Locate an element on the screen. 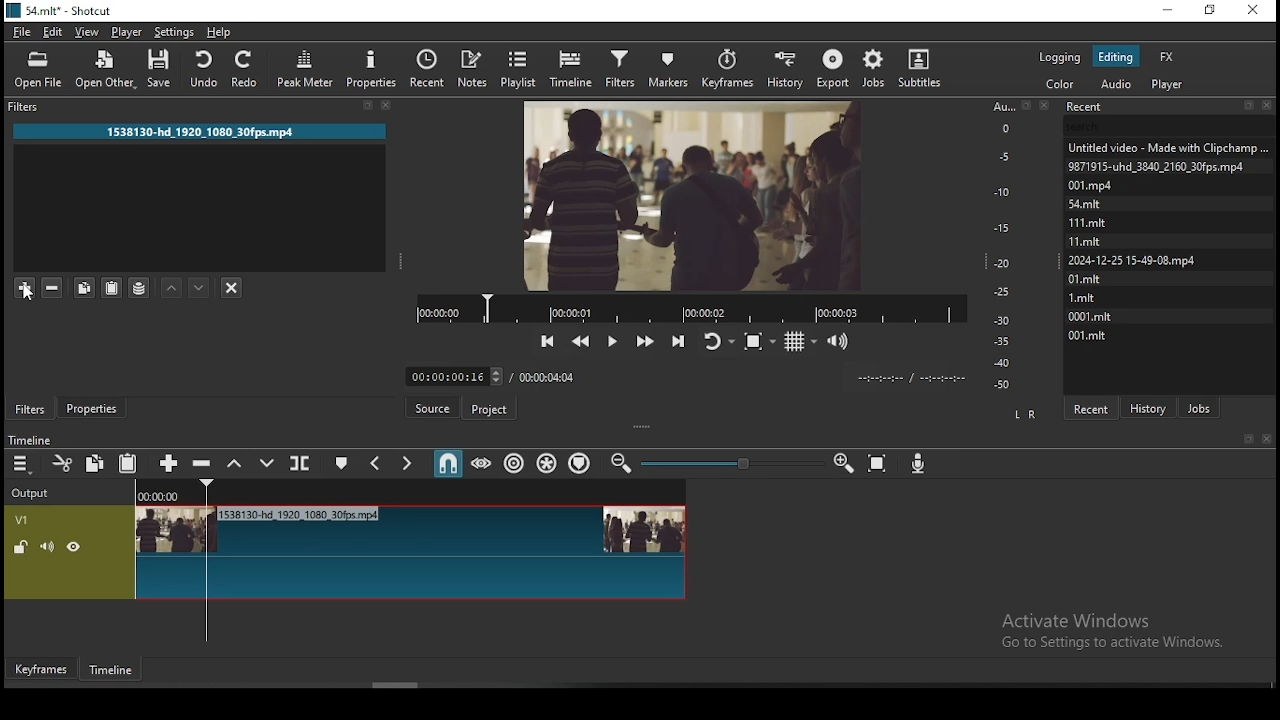 The width and height of the screenshot is (1280, 720). editing is located at coordinates (1115, 56).